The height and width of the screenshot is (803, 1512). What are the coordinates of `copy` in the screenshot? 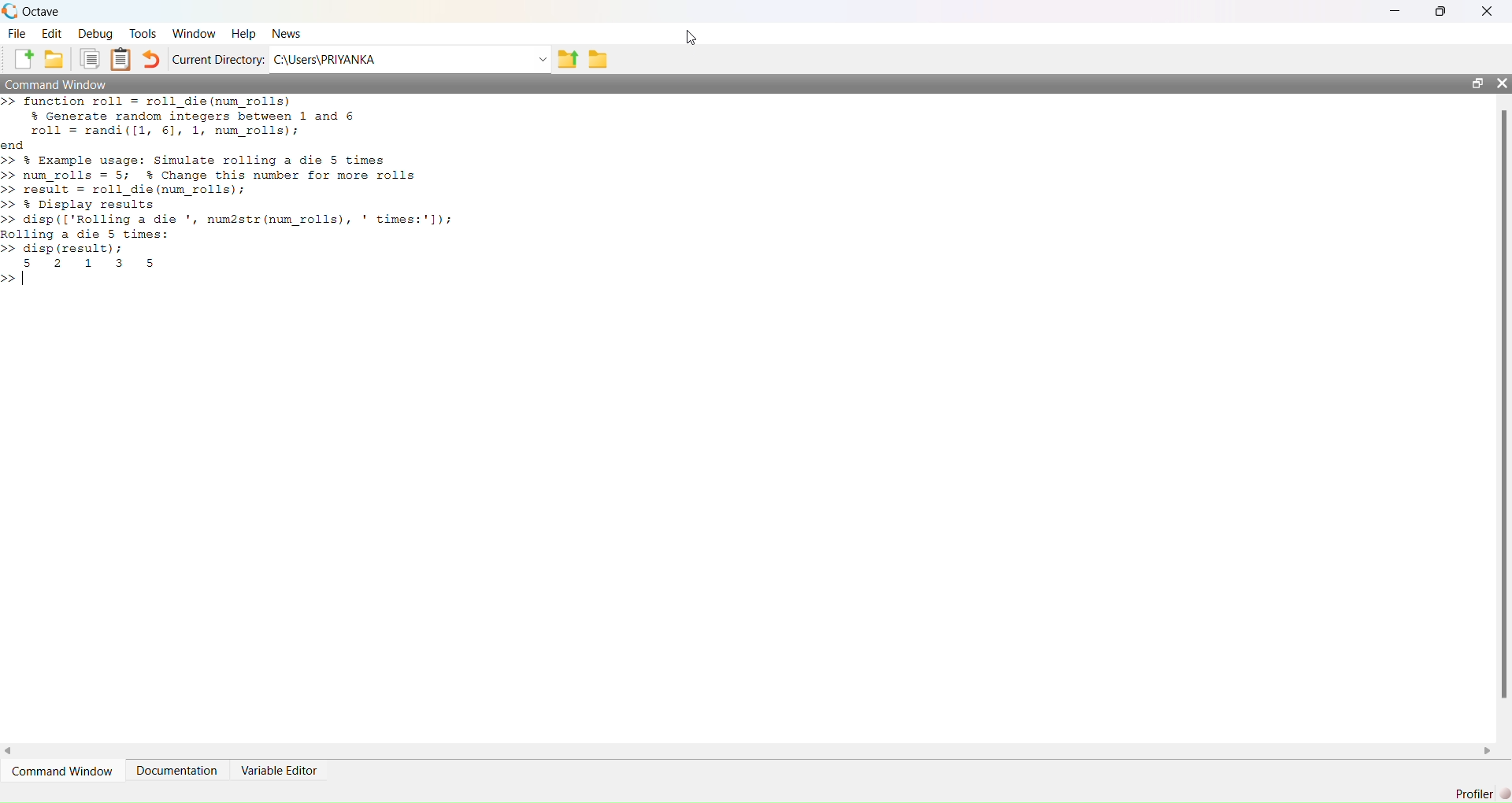 It's located at (89, 59).